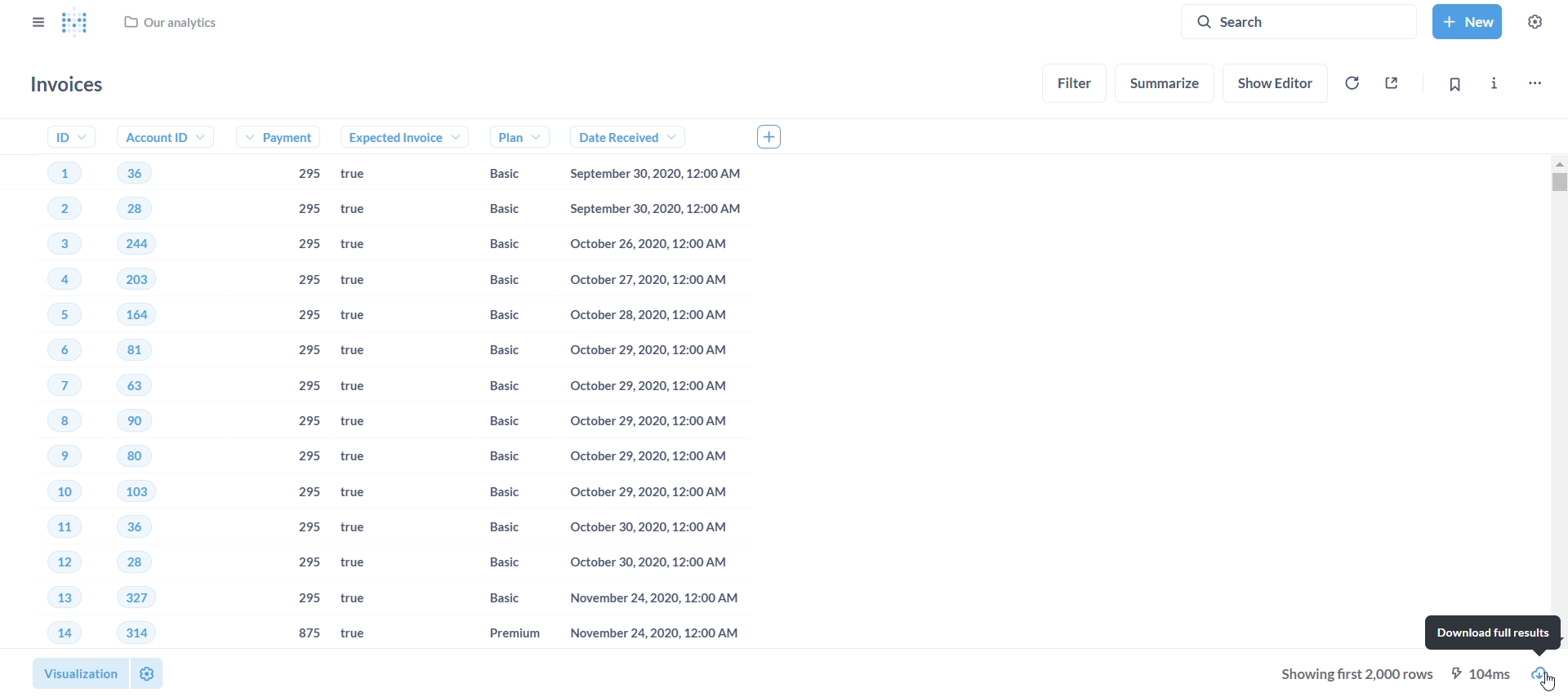 This screenshot has height=697, width=1568. I want to click on October 27,2020, 12:00 AM, so click(653, 280).